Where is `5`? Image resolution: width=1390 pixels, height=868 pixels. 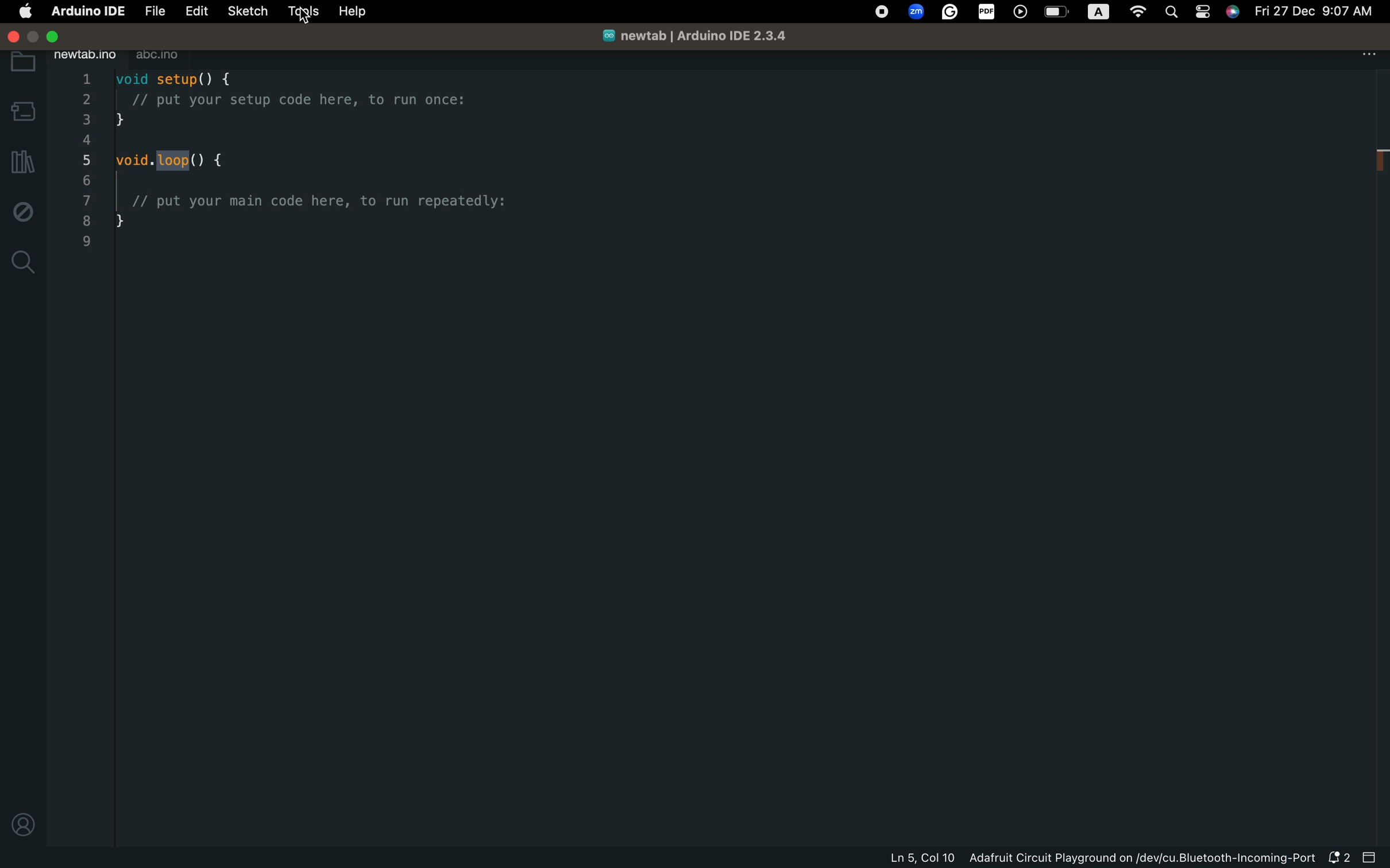 5 is located at coordinates (86, 160).